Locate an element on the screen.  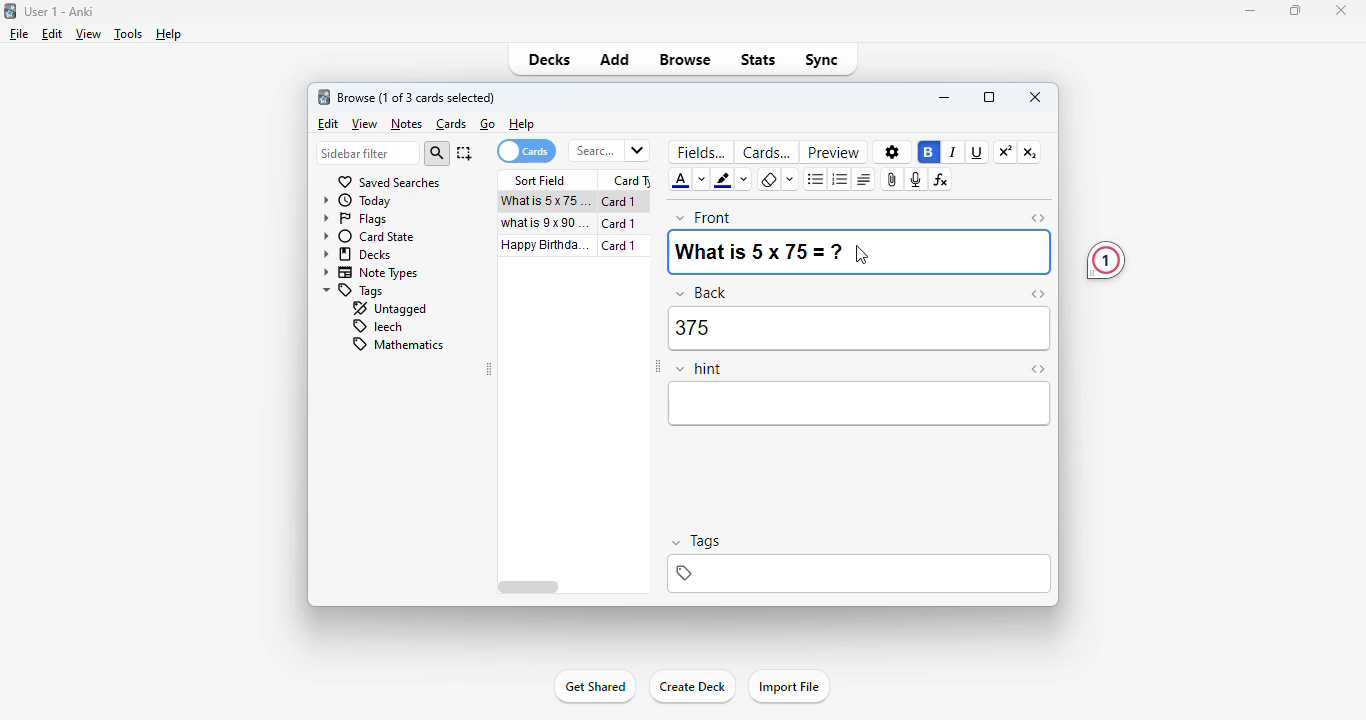
toggle sidebar is located at coordinates (488, 368).